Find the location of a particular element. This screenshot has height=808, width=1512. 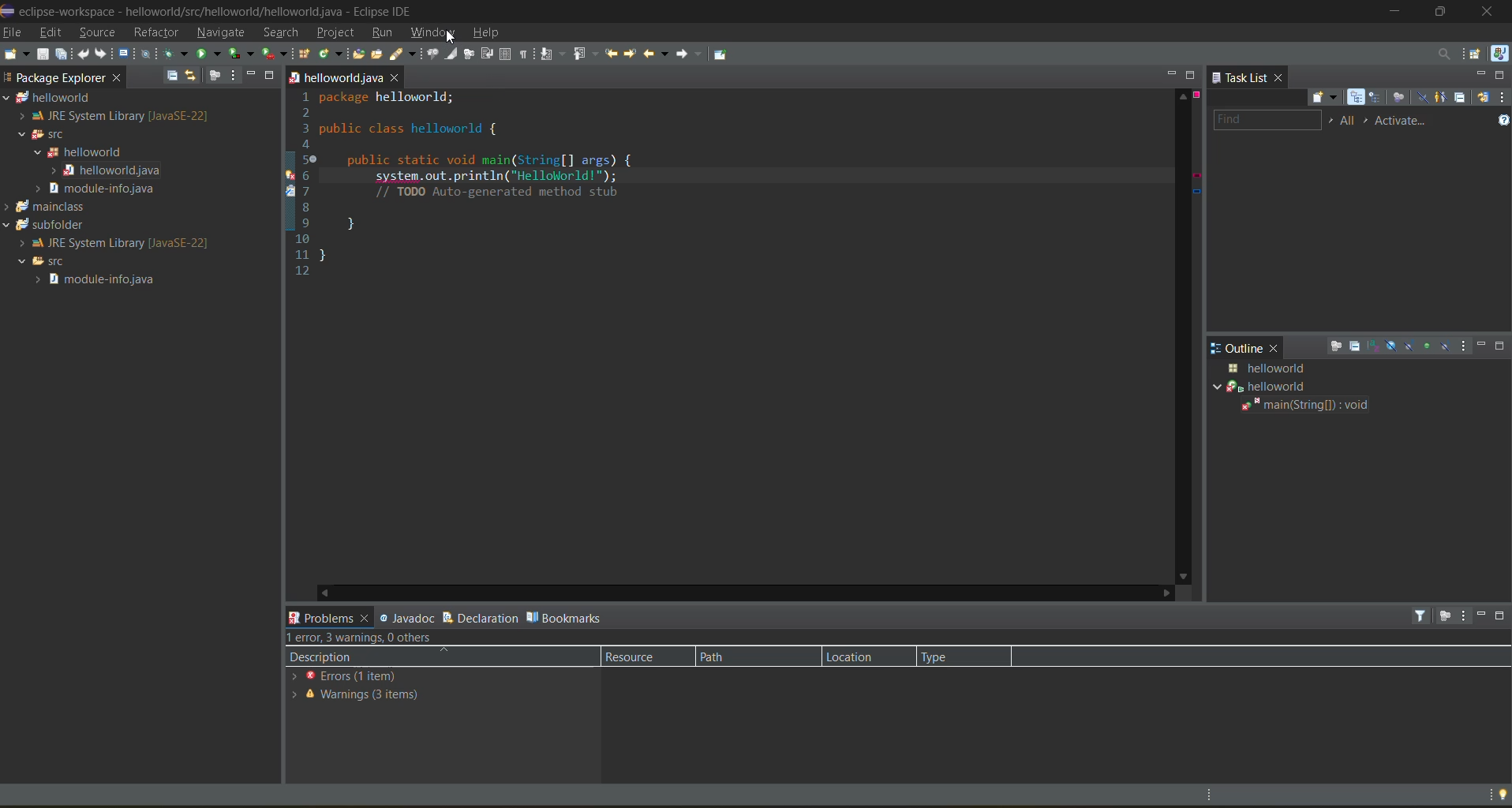

toggle mark occurences is located at coordinates (453, 56).